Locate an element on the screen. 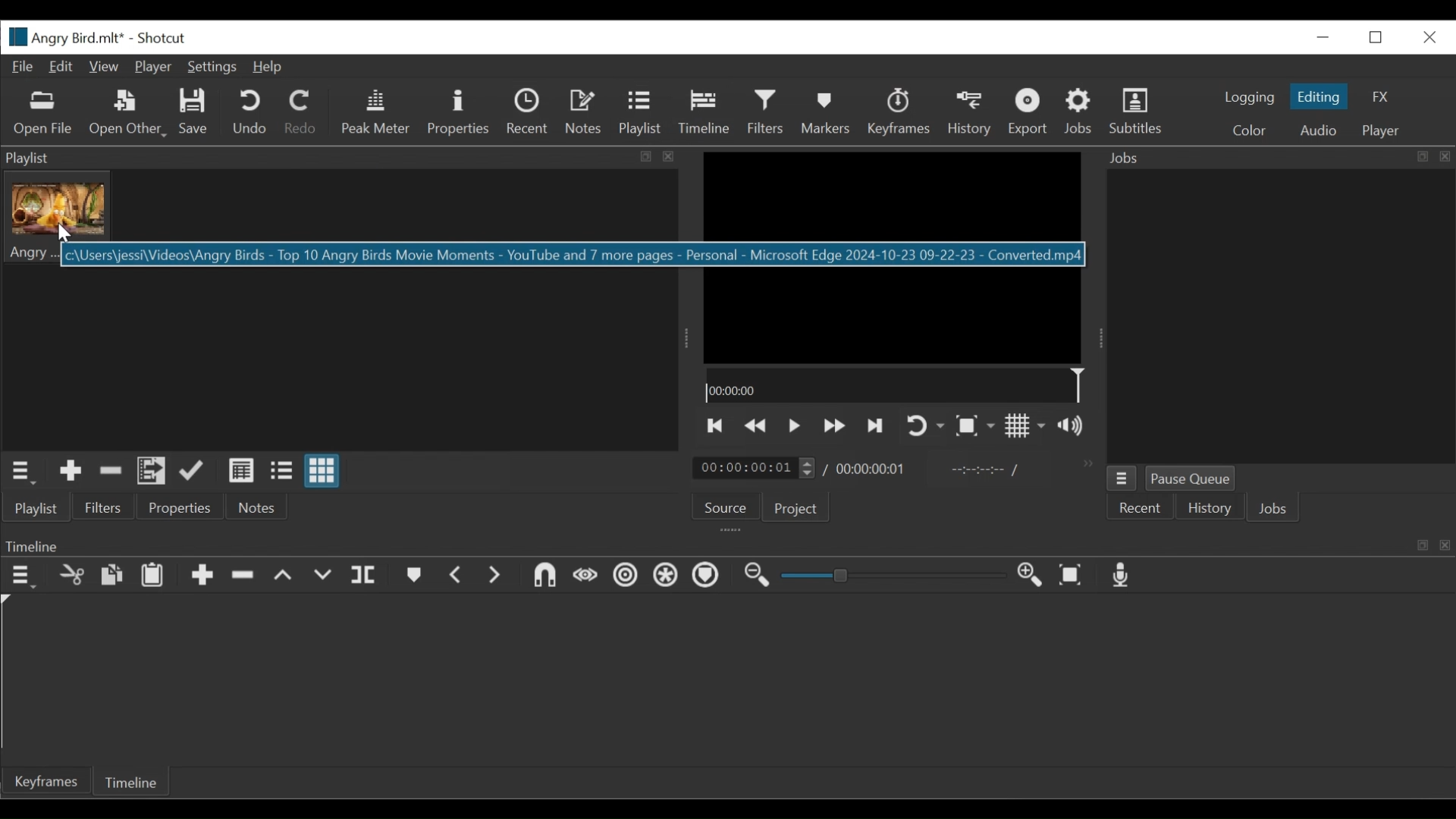 The height and width of the screenshot is (819, 1456). Jobs Menu is located at coordinates (1121, 479).